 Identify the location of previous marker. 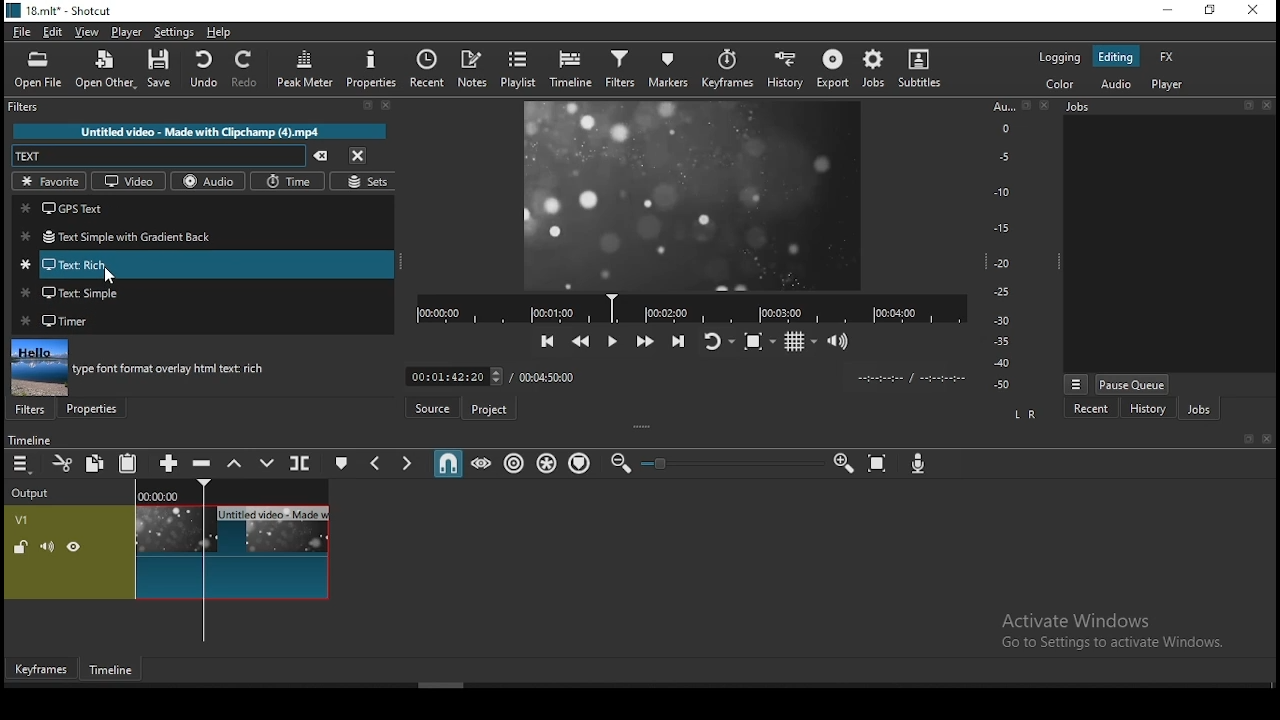
(378, 461).